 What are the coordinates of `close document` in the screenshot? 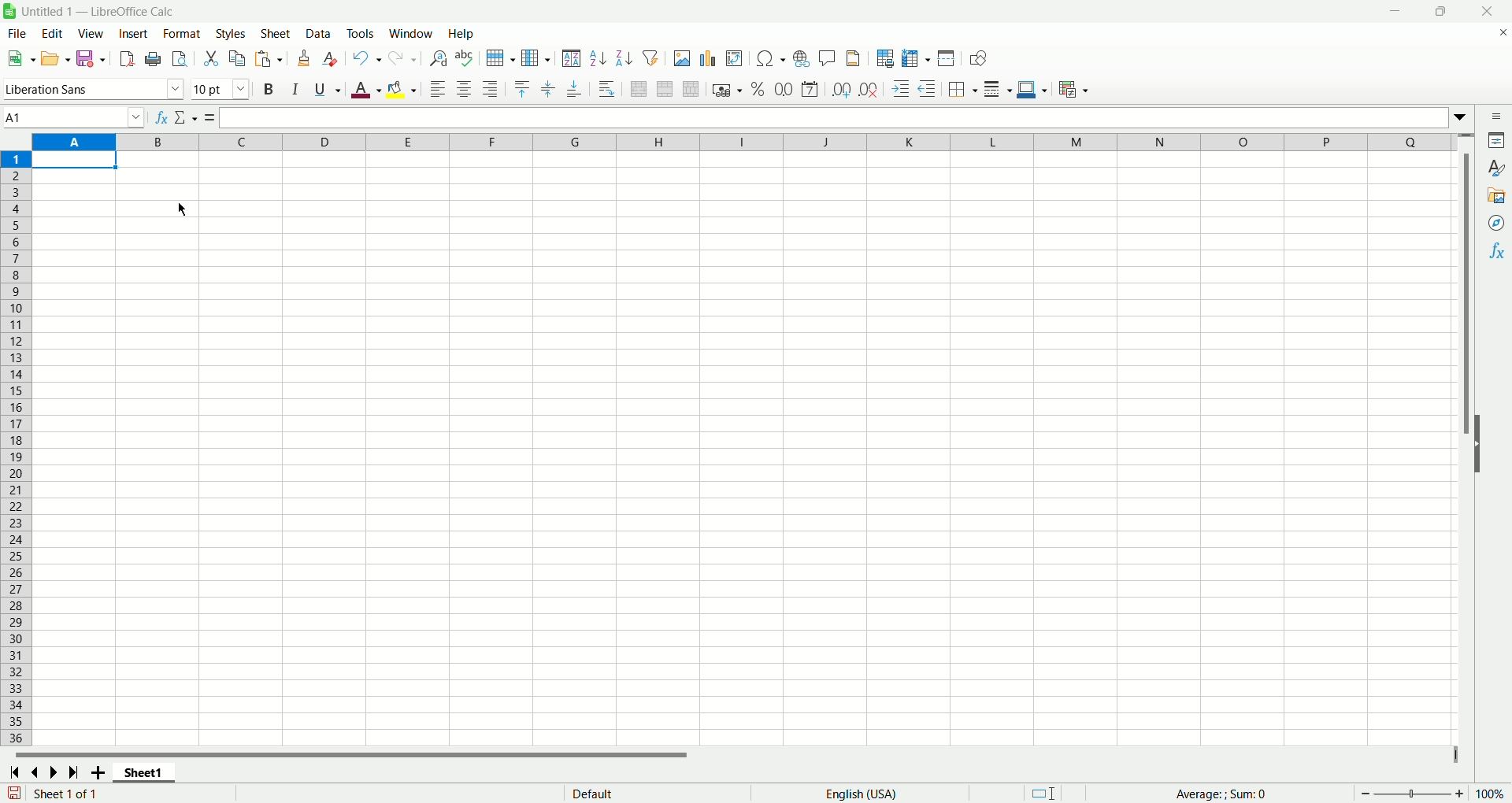 It's located at (1499, 37).